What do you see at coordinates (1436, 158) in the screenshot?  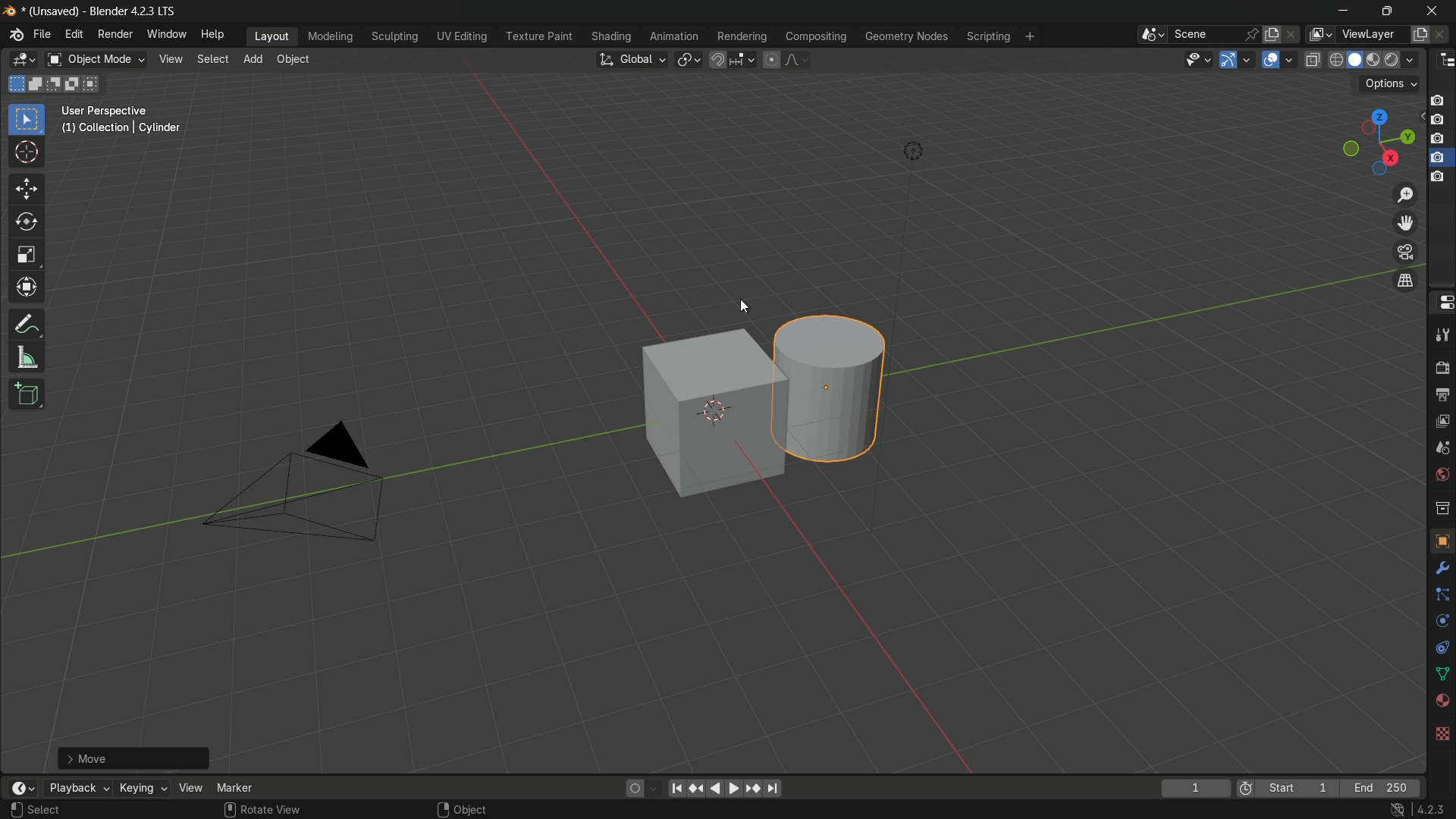 I see `capture` at bounding box center [1436, 158].